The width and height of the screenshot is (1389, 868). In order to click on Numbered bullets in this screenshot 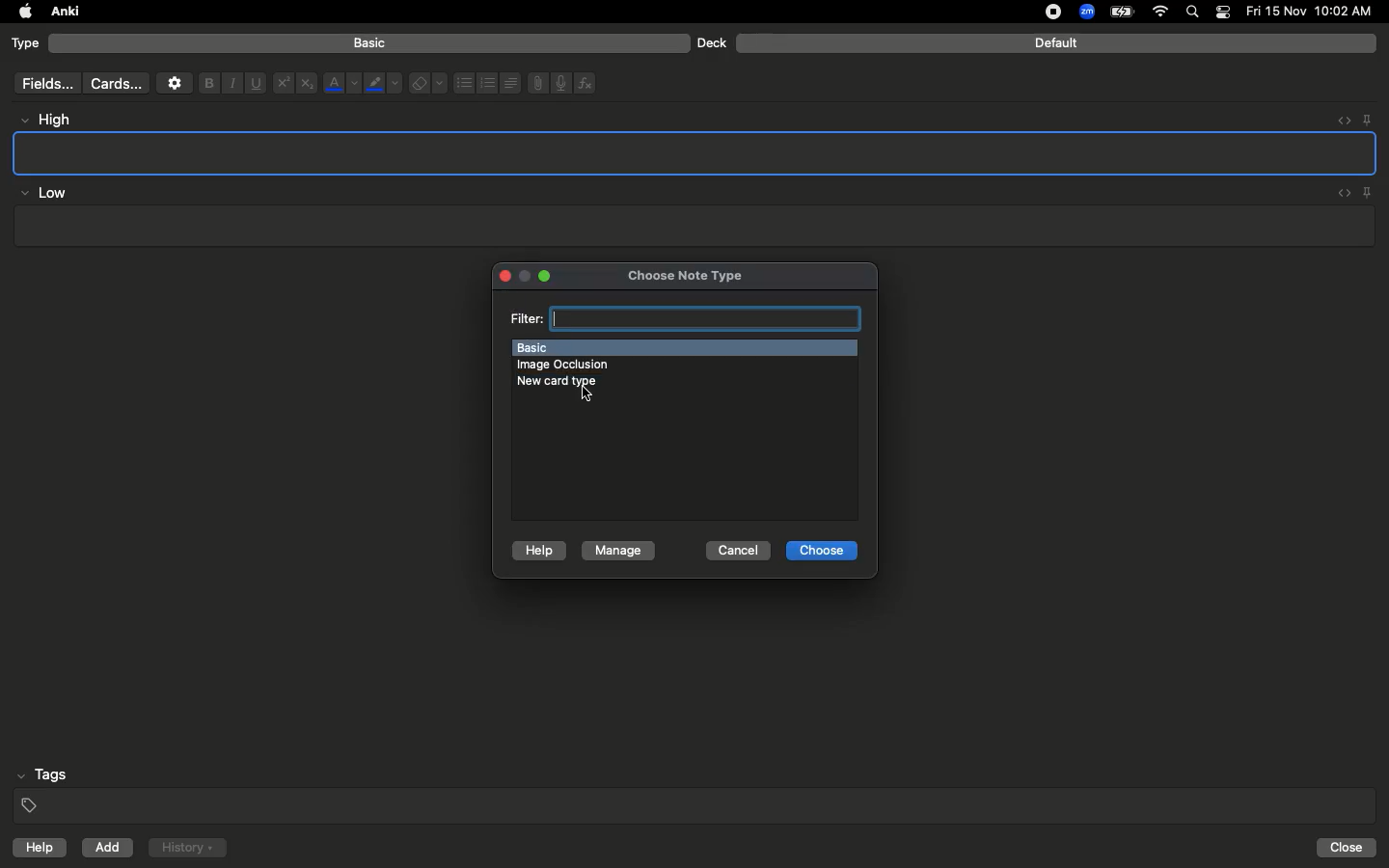, I will do `click(488, 83)`.